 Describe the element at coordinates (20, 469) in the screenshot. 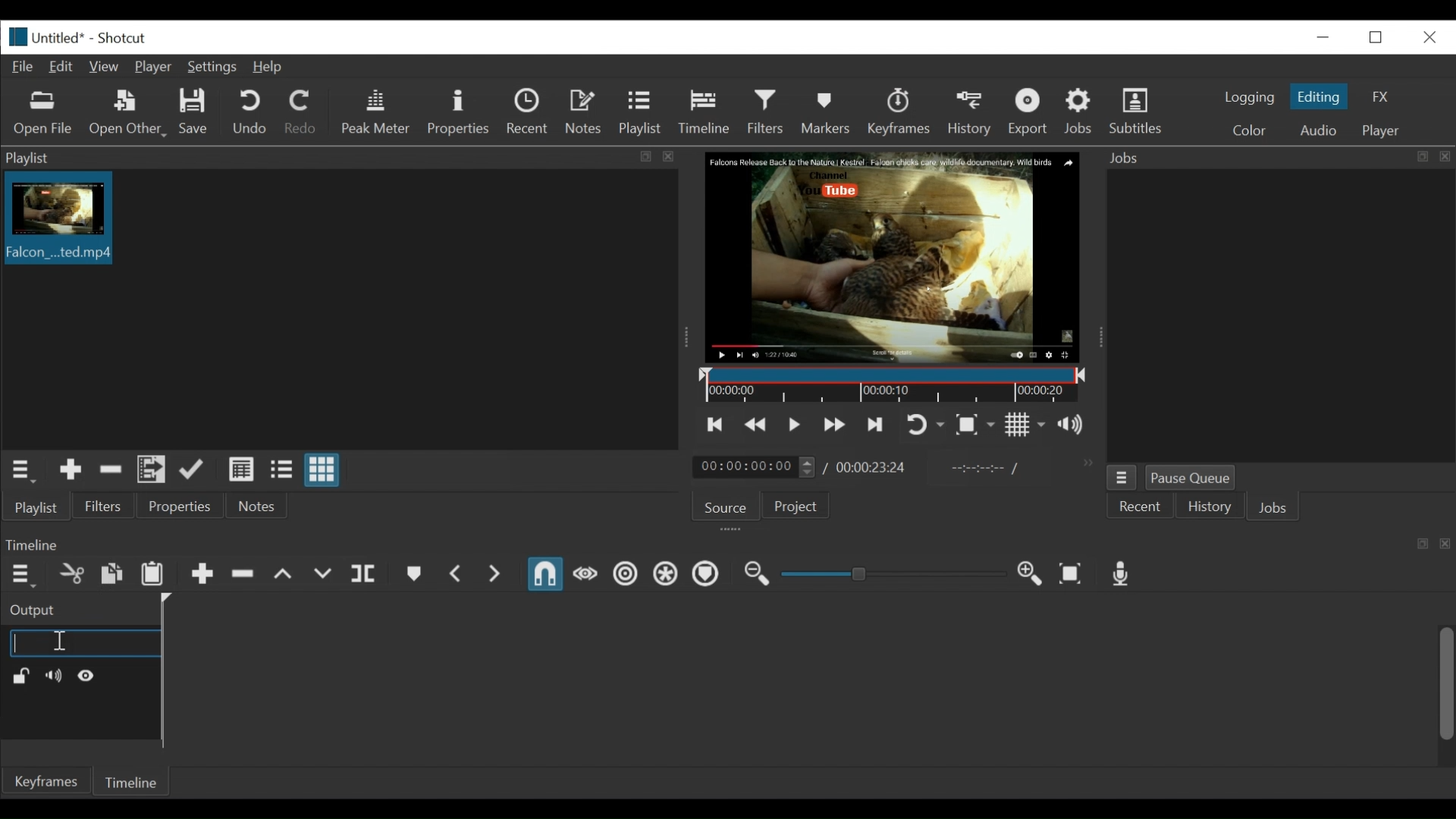

I see `Playlist menu` at that location.